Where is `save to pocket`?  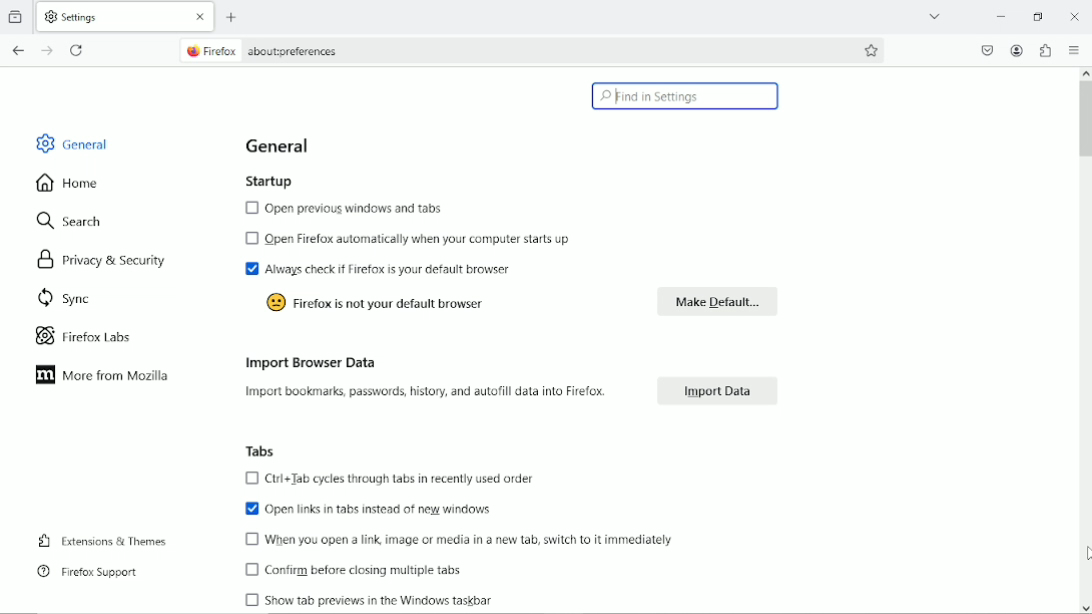
save to pocket is located at coordinates (987, 49).